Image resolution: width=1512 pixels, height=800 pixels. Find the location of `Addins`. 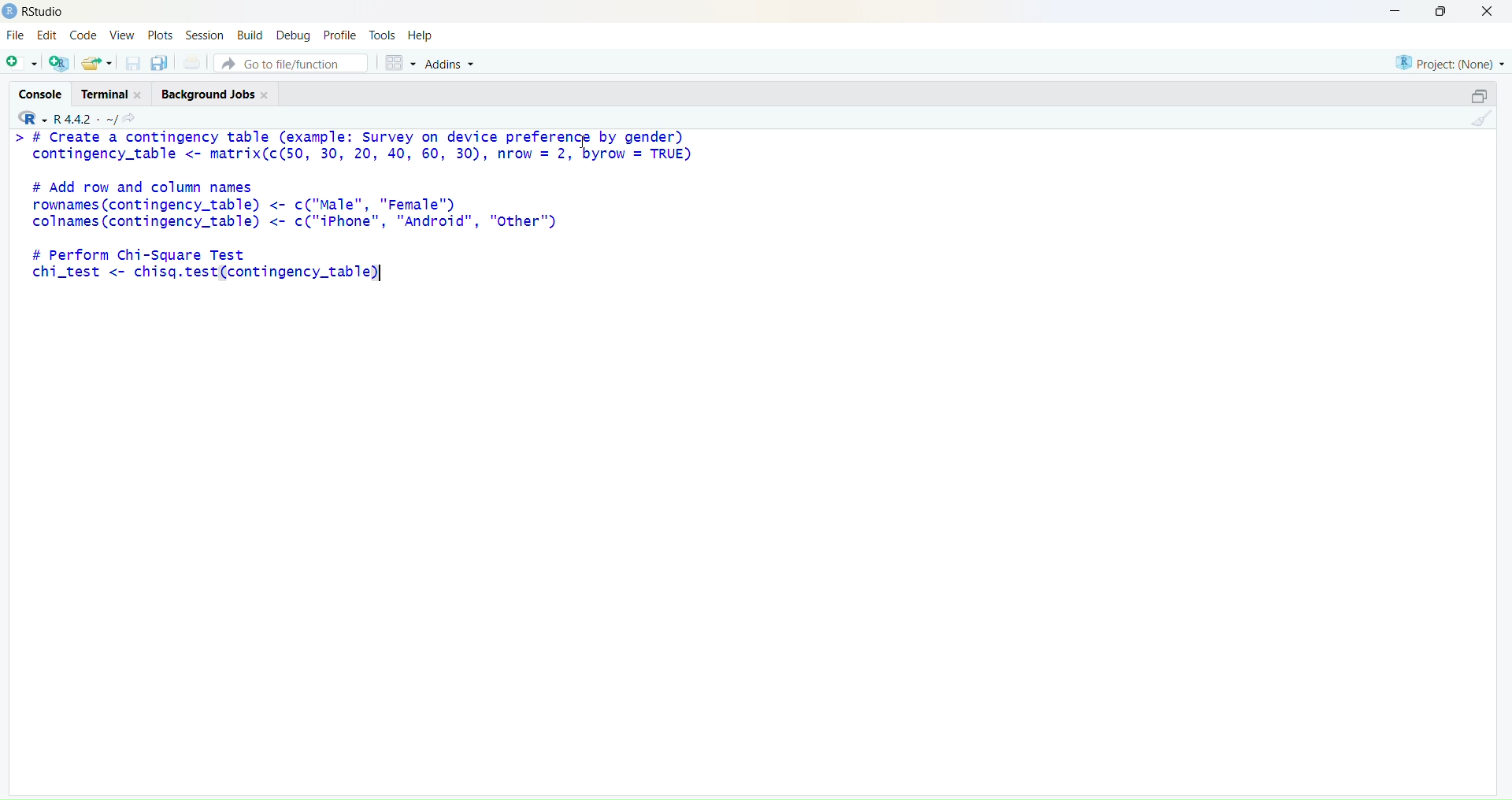

Addins is located at coordinates (450, 65).